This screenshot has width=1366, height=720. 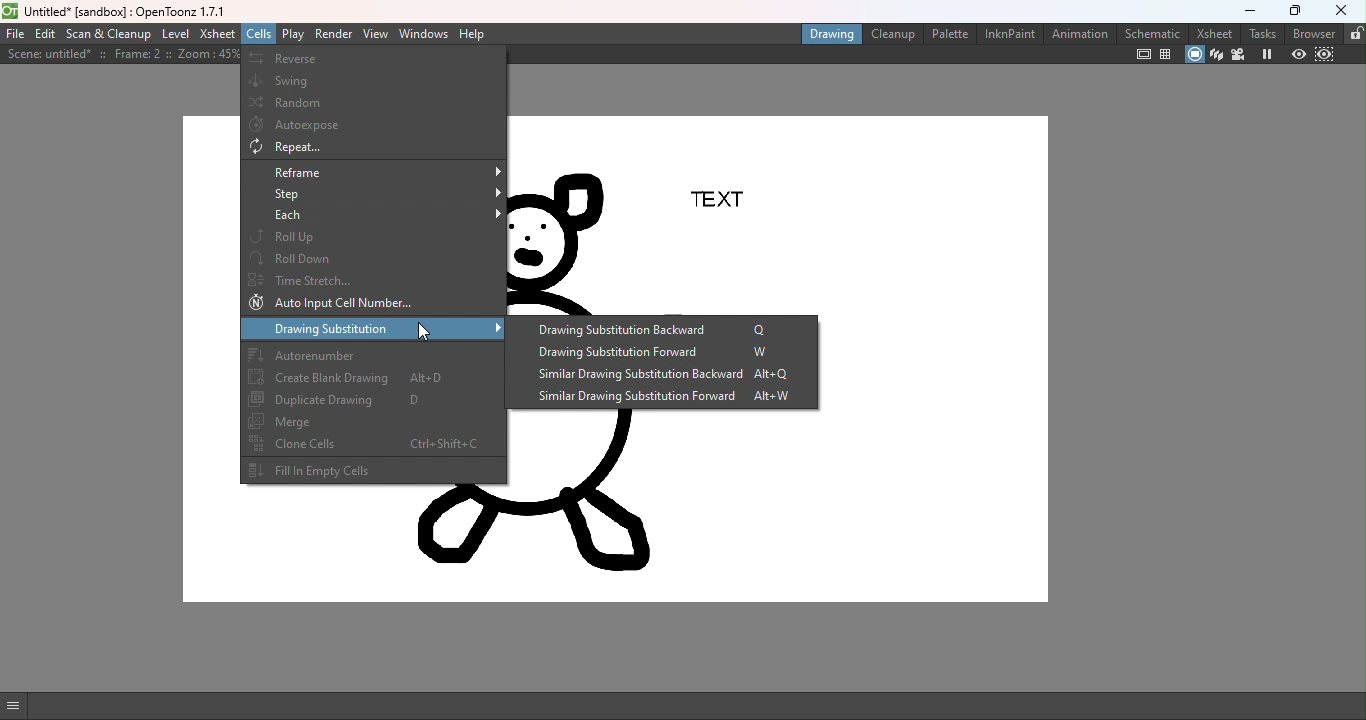 What do you see at coordinates (175, 34) in the screenshot?
I see `Level` at bounding box center [175, 34].